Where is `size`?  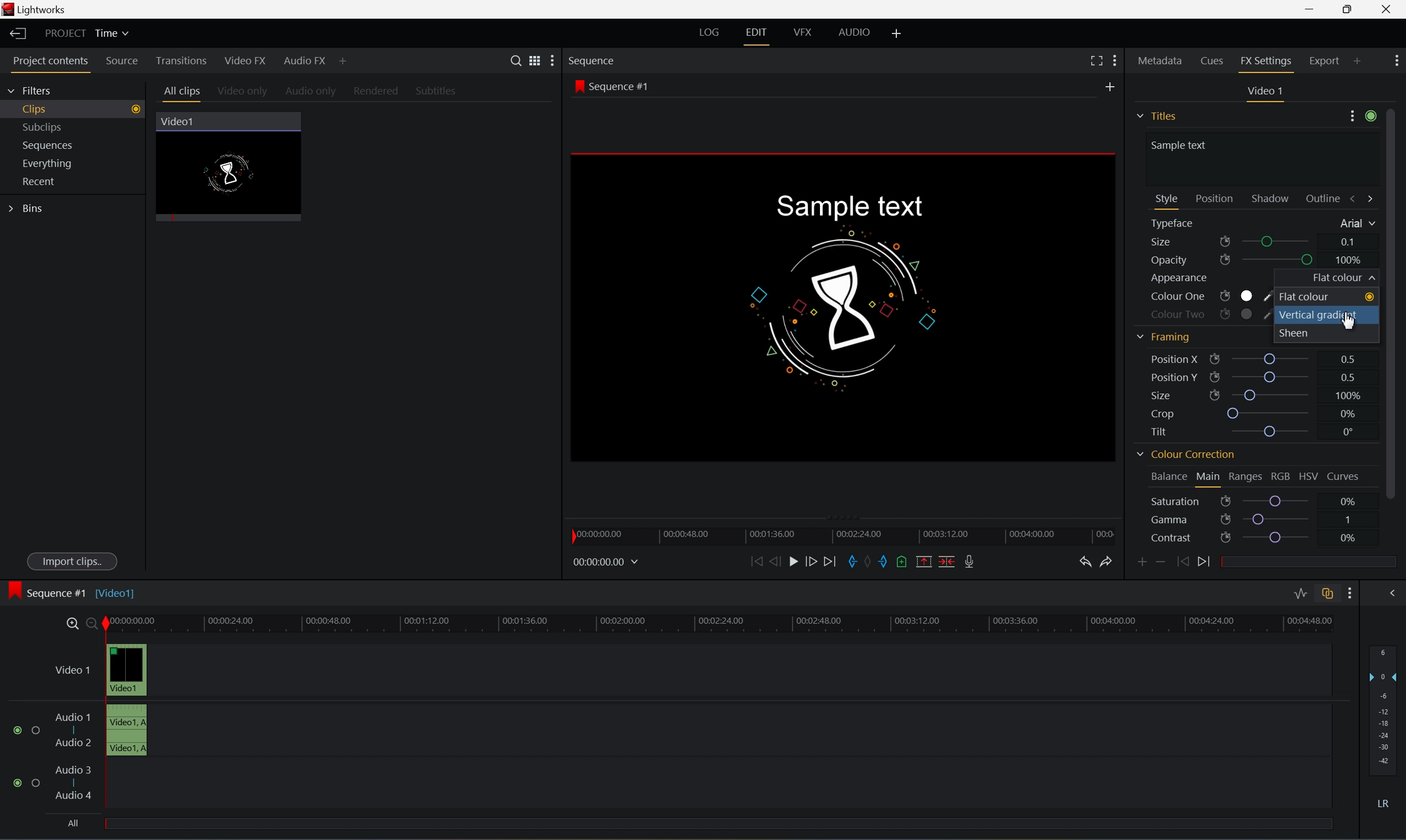 size is located at coordinates (1188, 242).